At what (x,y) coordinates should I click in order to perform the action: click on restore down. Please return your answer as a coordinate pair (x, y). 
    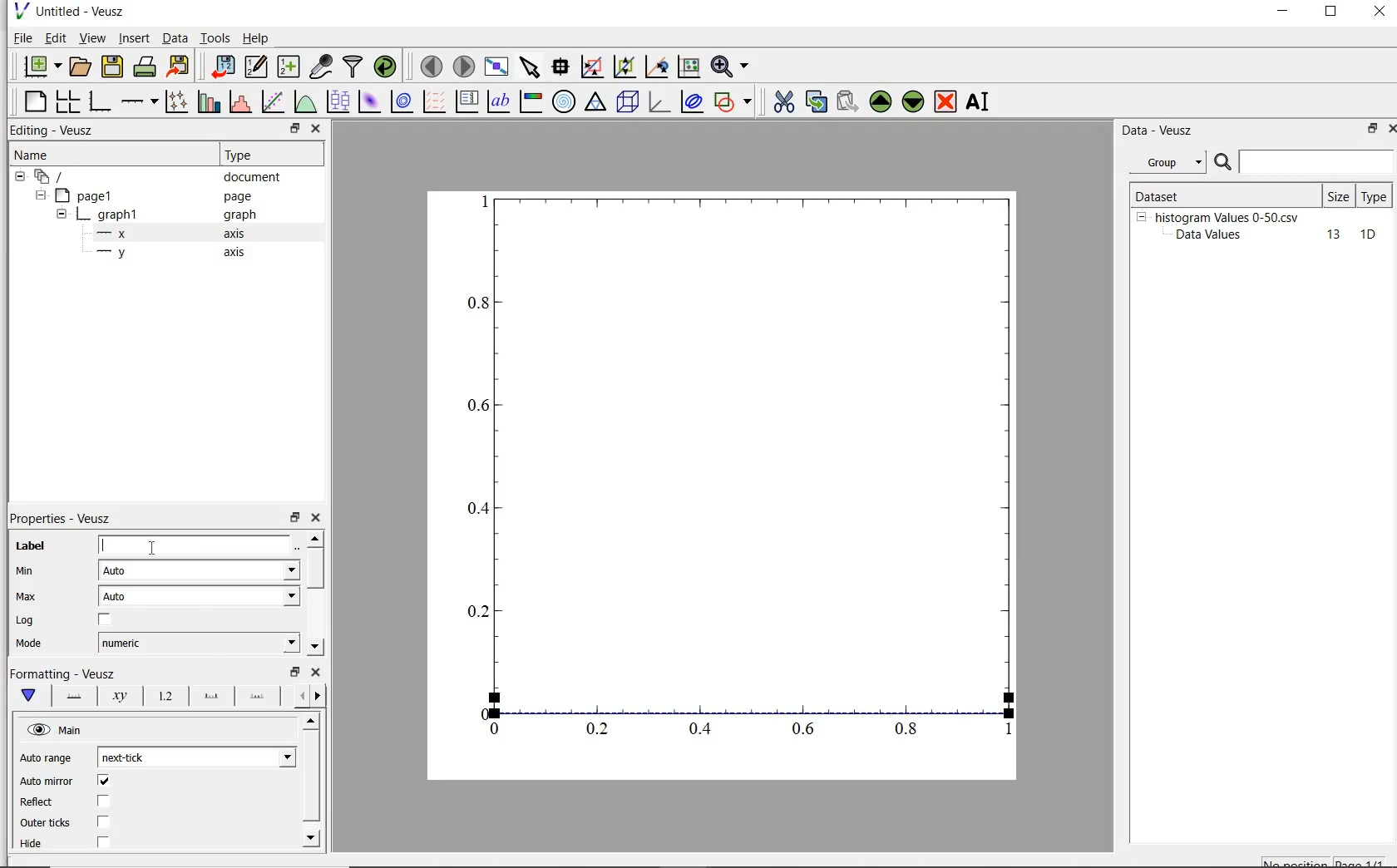
    Looking at the image, I should click on (1367, 130).